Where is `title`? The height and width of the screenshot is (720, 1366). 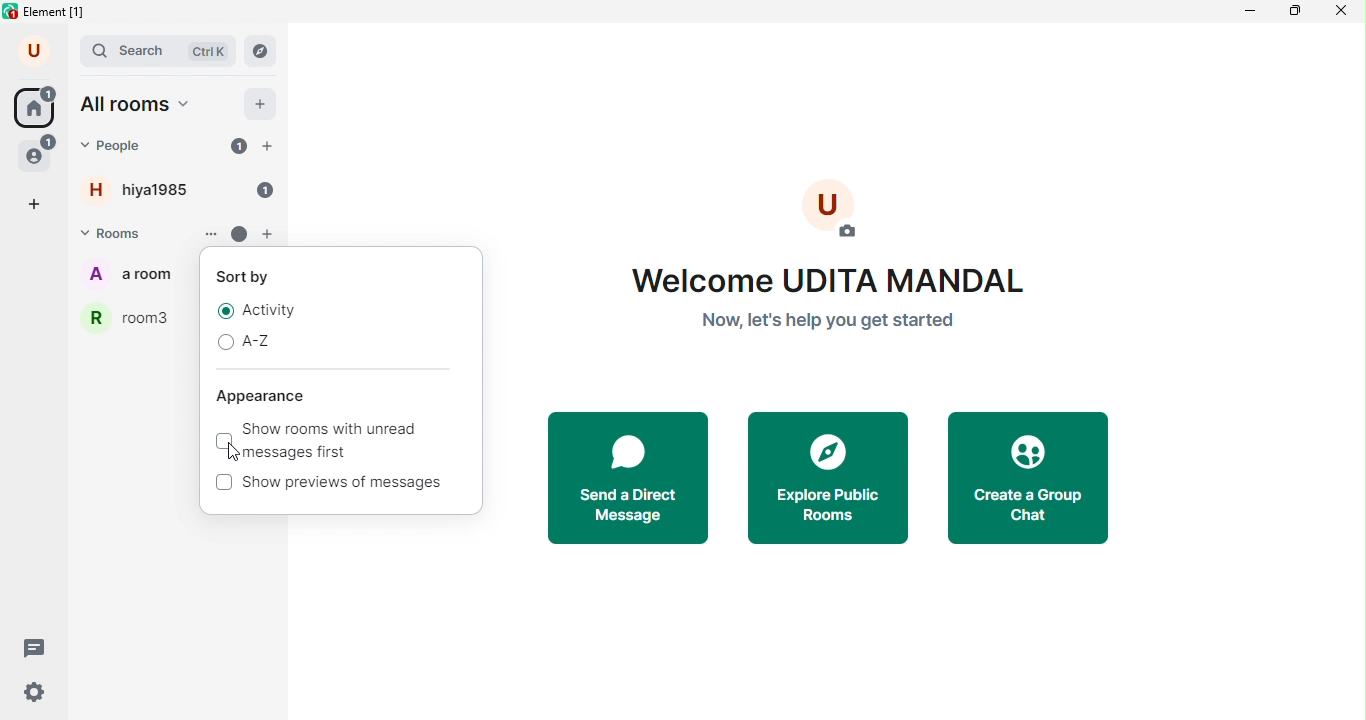
title is located at coordinates (52, 12).